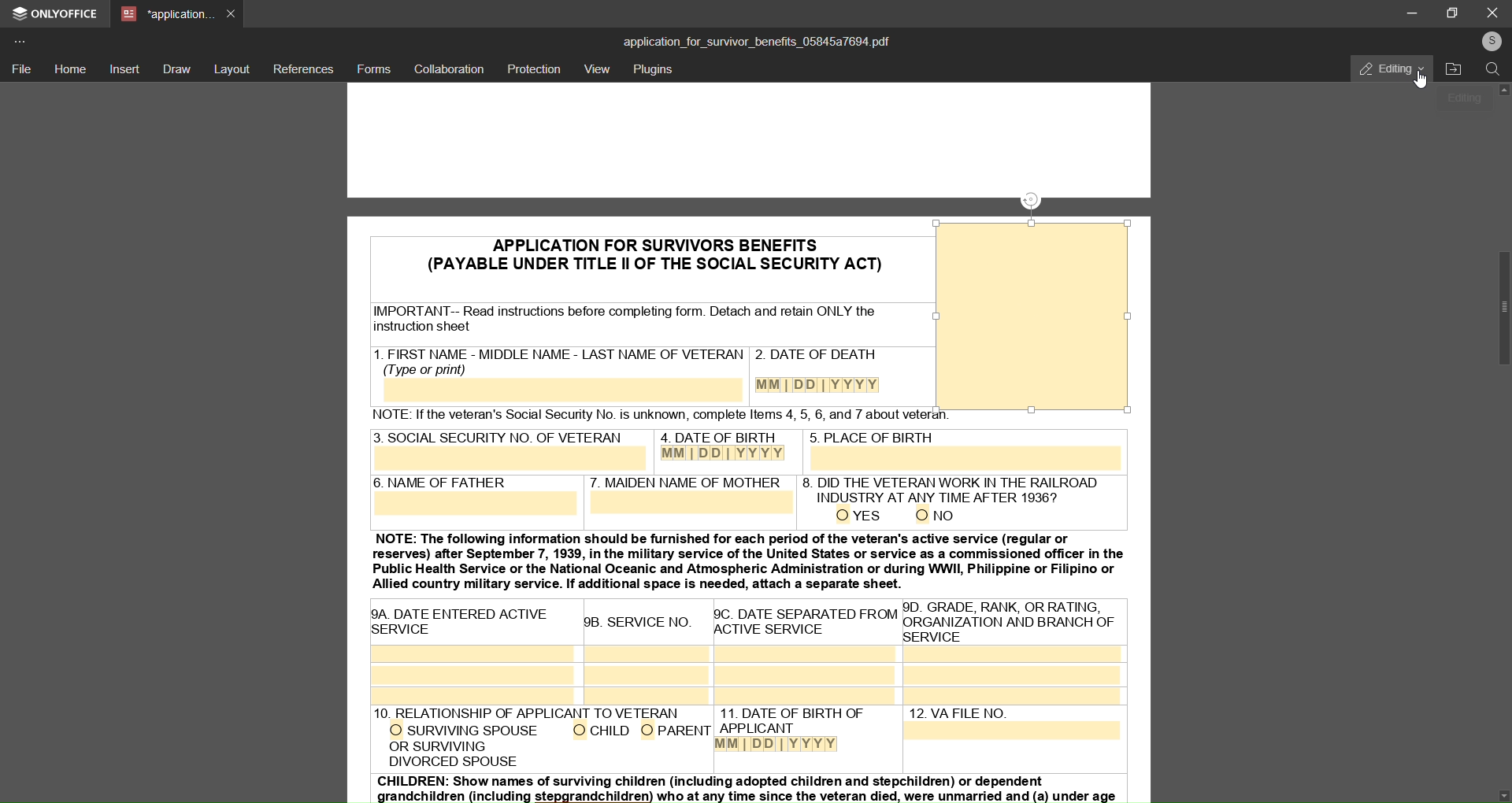 This screenshot has width=1512, height=803. I want to click on references, so click(304, 68).